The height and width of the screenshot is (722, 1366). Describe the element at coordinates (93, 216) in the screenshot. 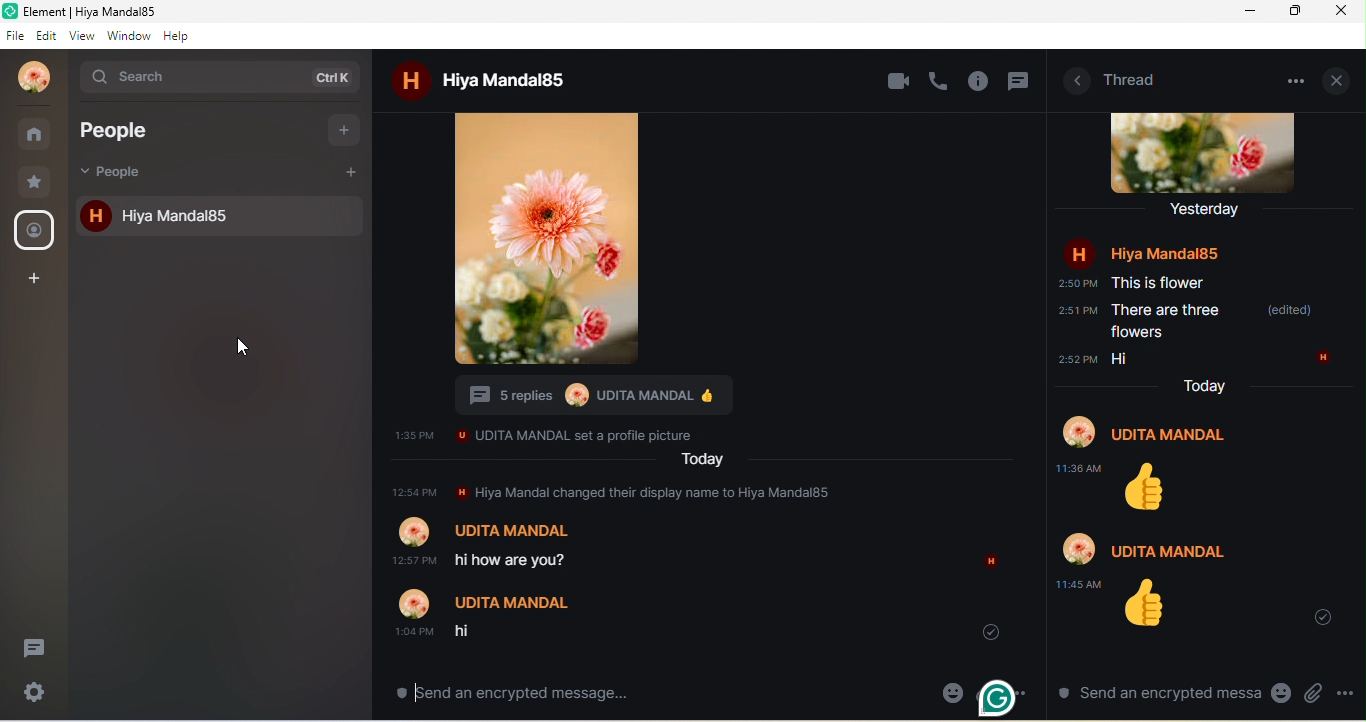

I see `h` at that location.